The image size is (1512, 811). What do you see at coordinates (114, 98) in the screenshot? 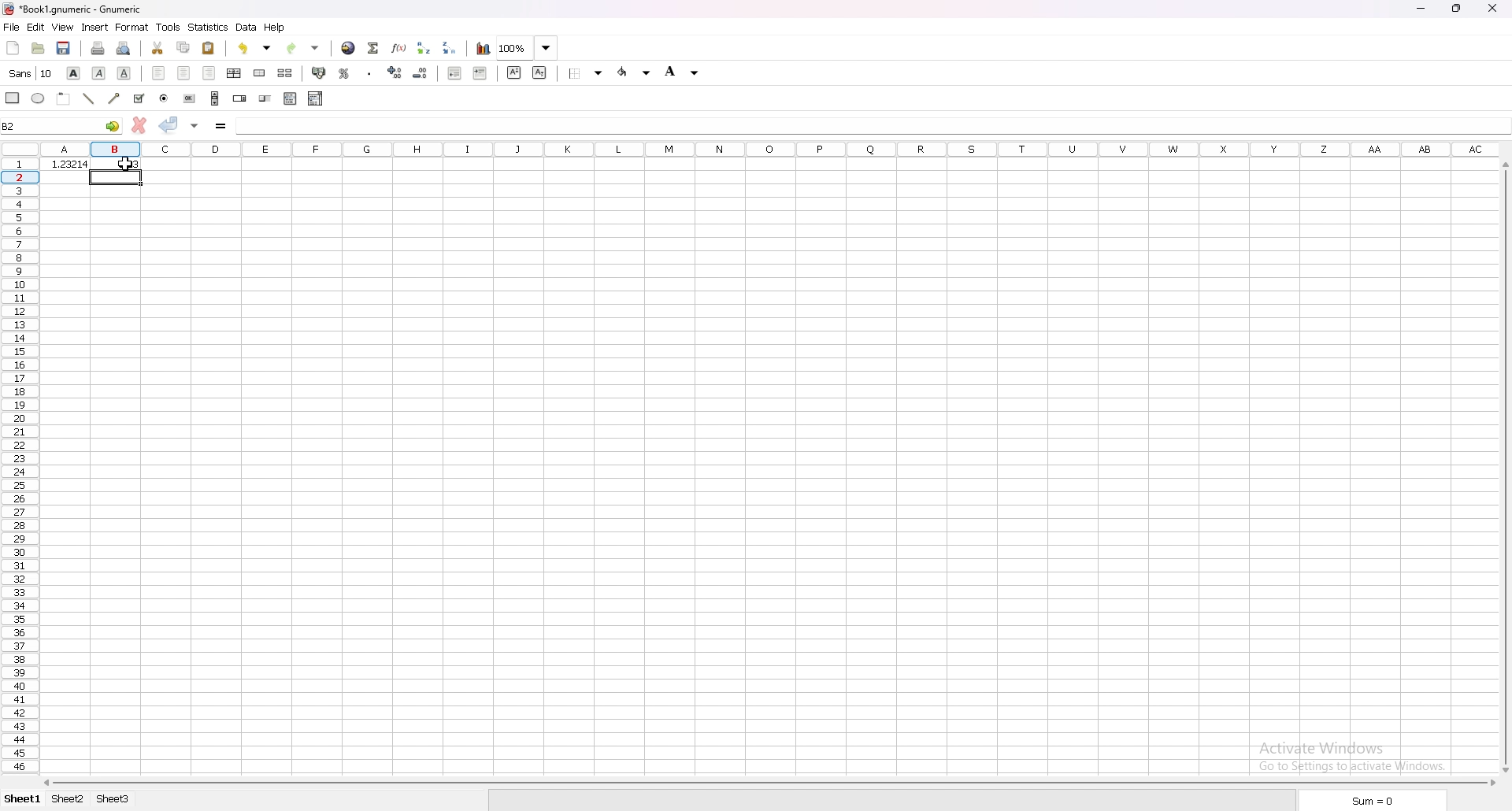
I see `arrowed line` at bounding box center [114, 98].